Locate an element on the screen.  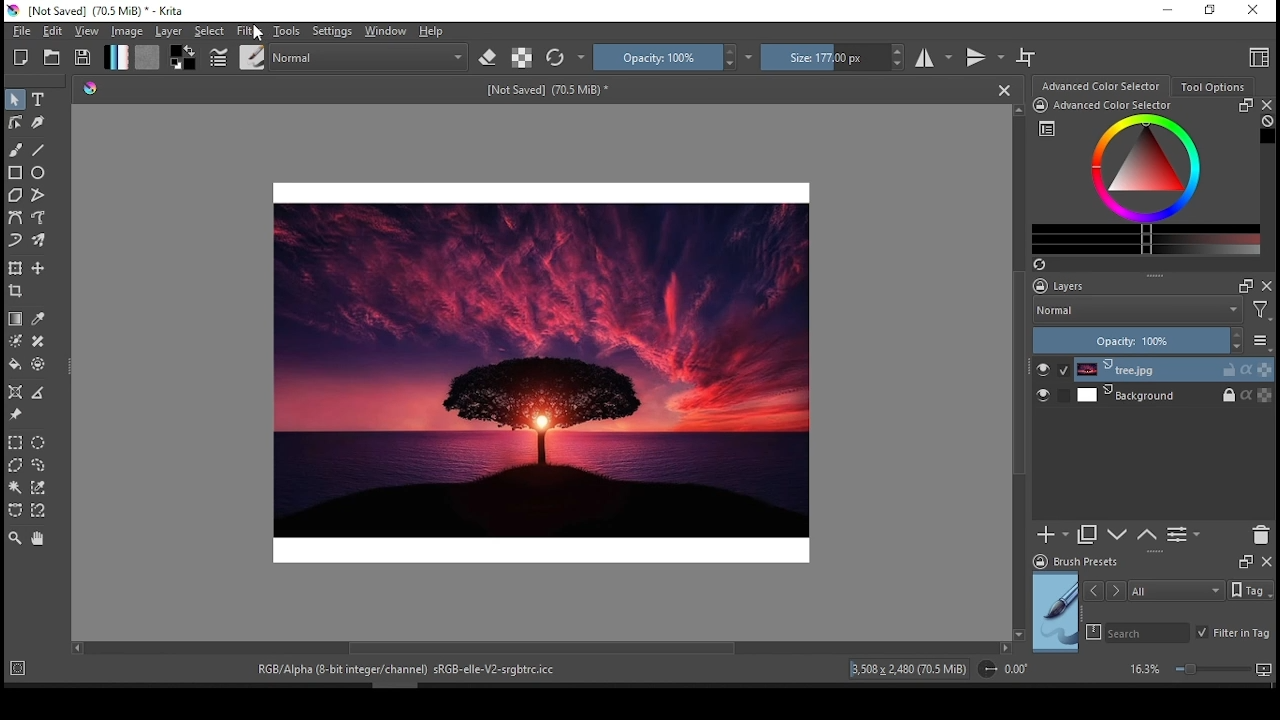
layer is located at coordinates (168, 32).